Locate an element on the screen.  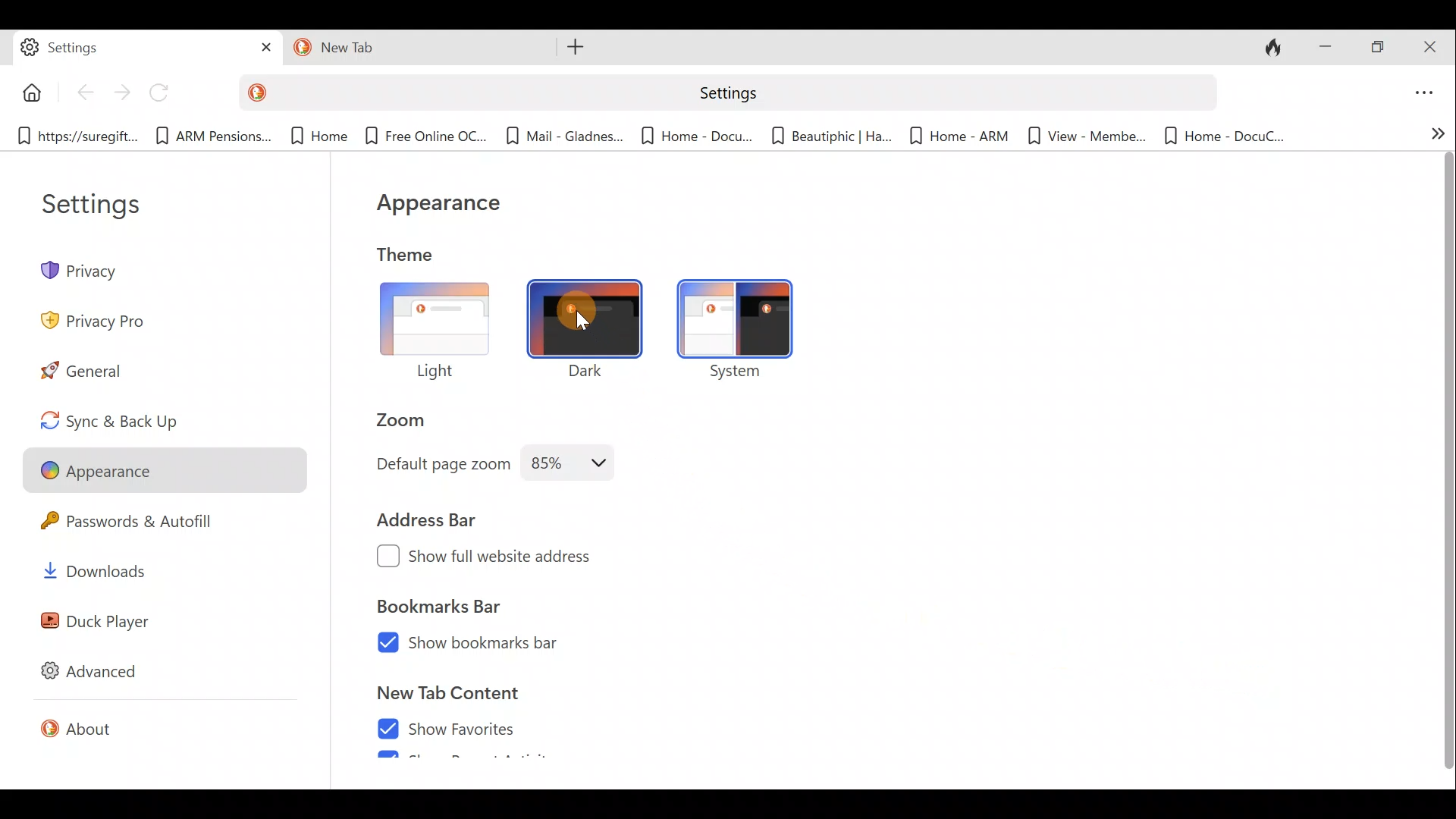
Bookmark 2 is located at coordinates (212, 137).